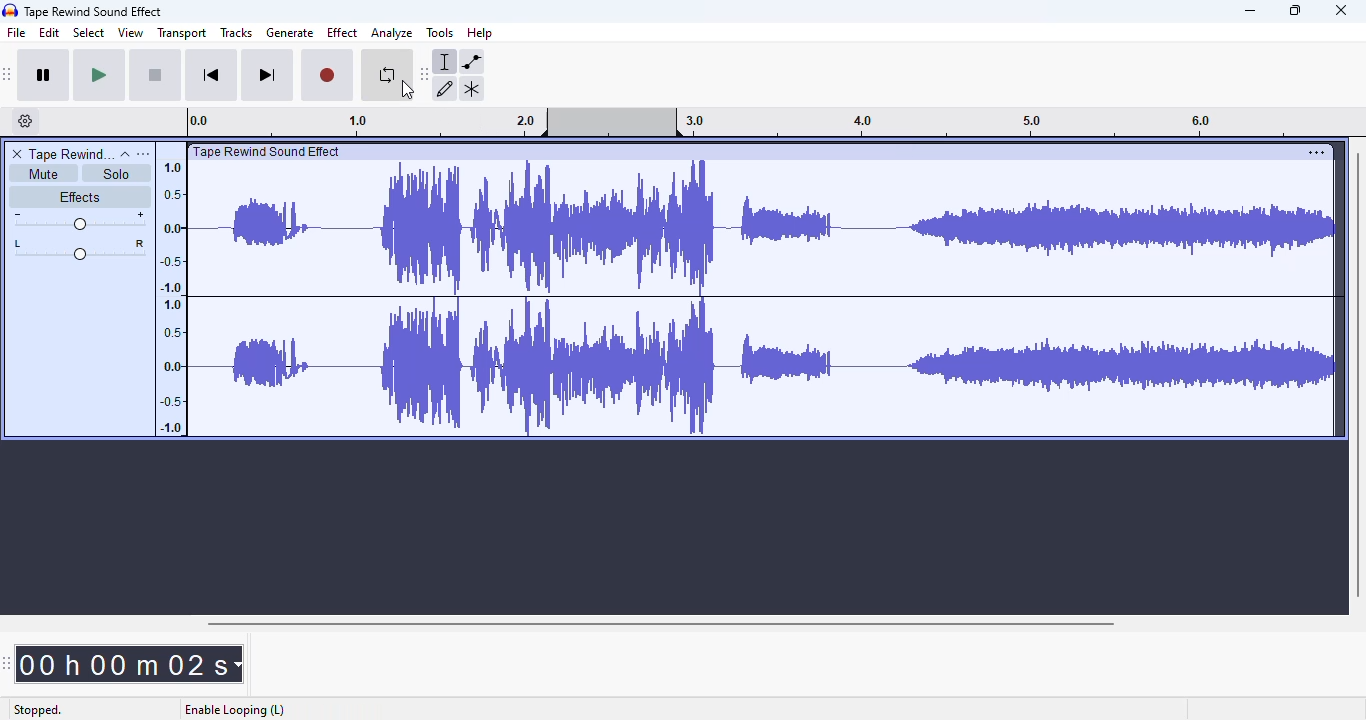 The image size is (1366, 720). What do you see at coordinates (89, 33) in the screenshot?
I see `select` at bounding box center [89, 33].